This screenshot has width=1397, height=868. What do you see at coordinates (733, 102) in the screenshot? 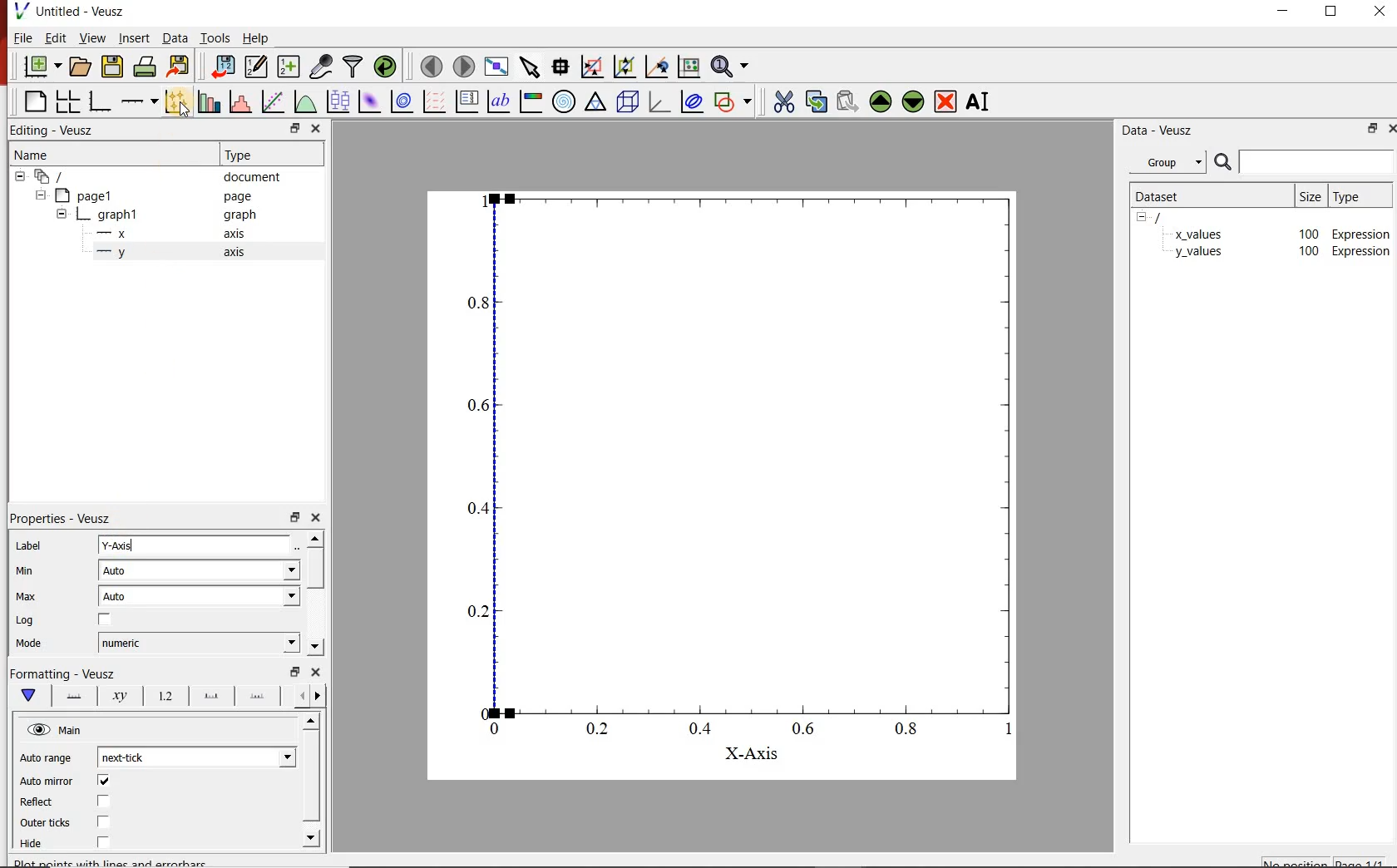
I see `add shape` at bounding box center [733, 102].